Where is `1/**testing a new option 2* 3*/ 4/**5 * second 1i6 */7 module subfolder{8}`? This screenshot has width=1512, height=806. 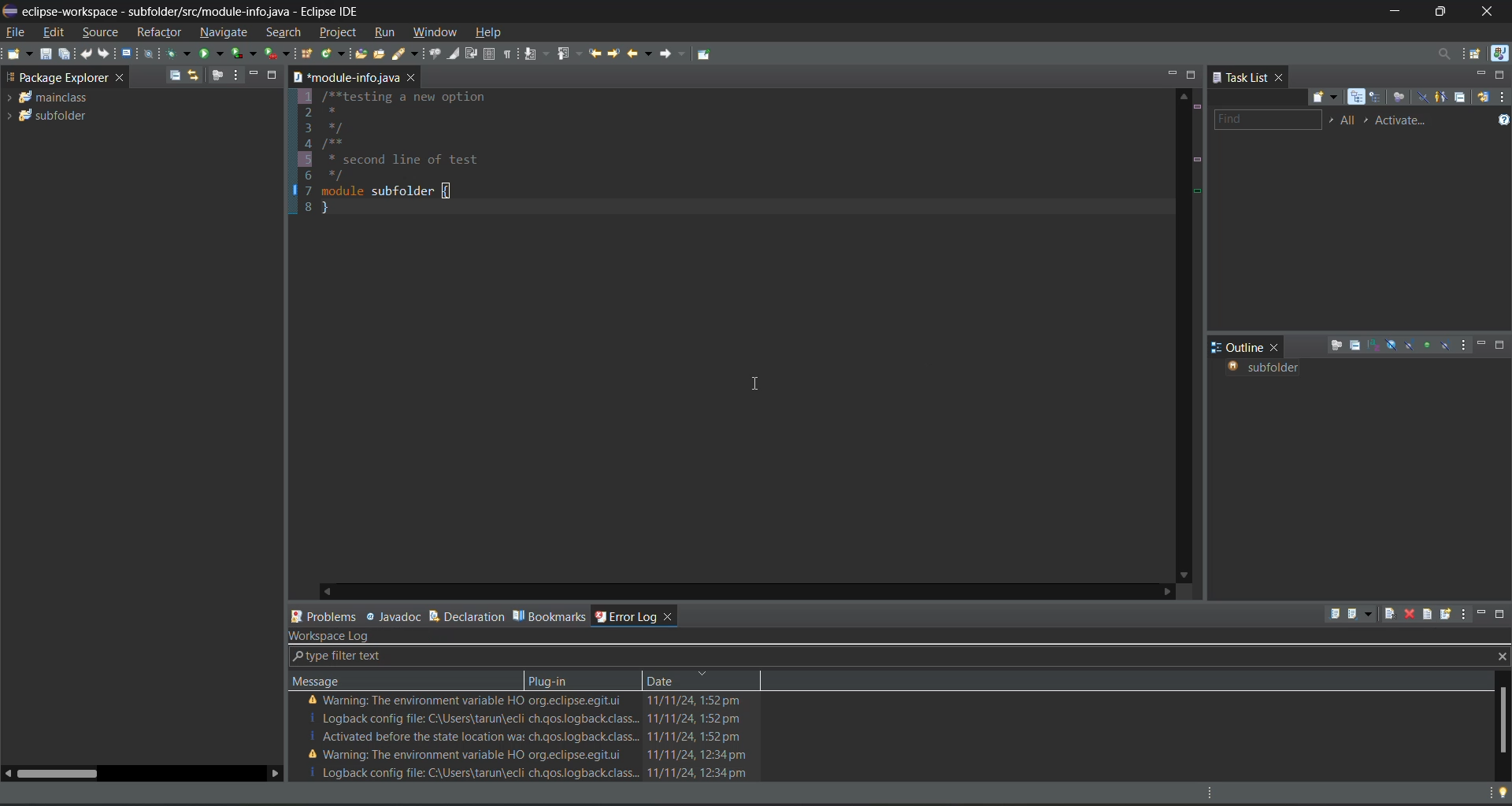 1/**testing a new option 2* 3*/ 4/**5 * second 1i6 */7 module subfolder{8} is located at coordinates (725, 336).